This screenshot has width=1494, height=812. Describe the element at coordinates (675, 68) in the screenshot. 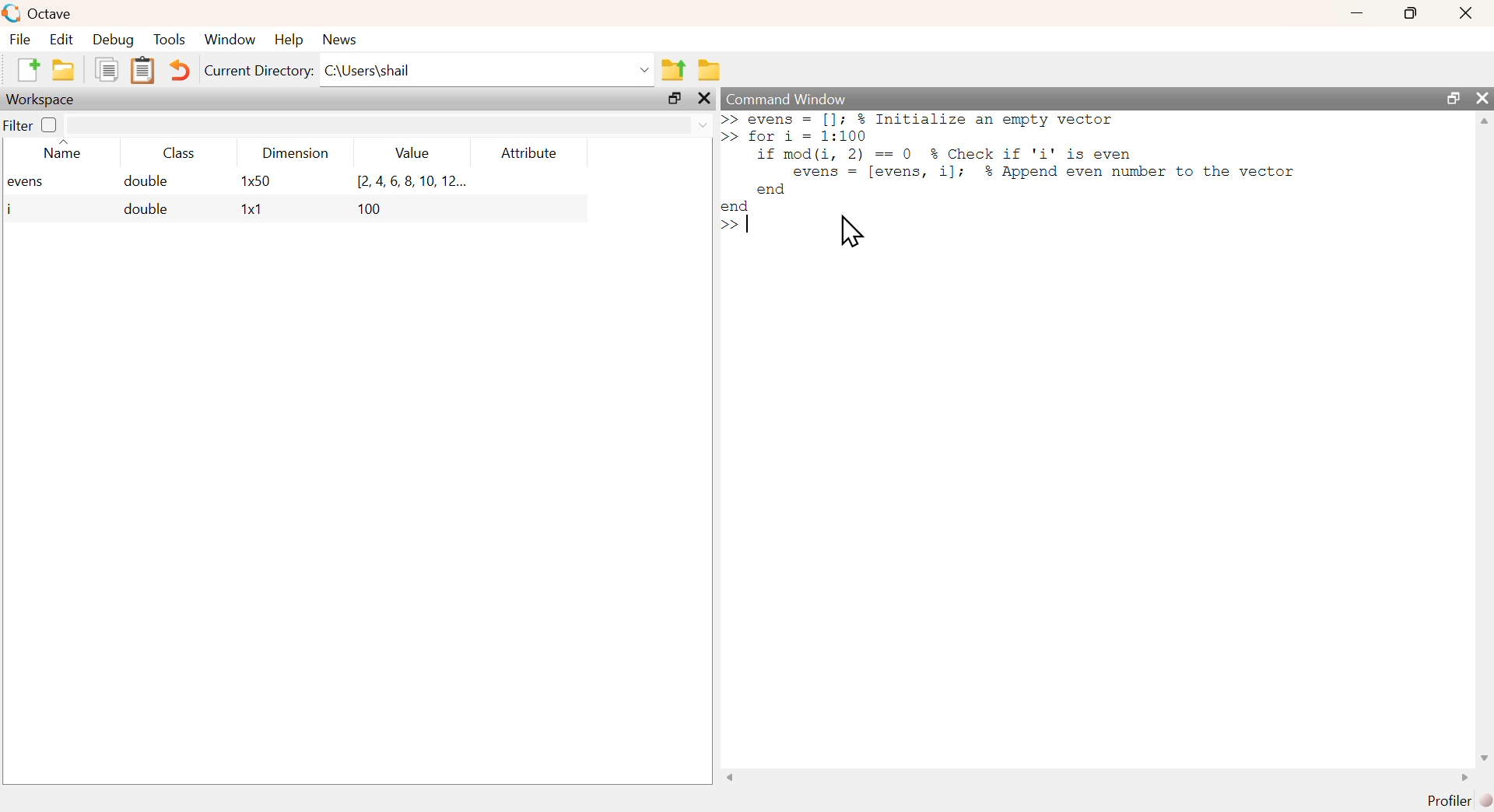

I see `one directory up` at that location.